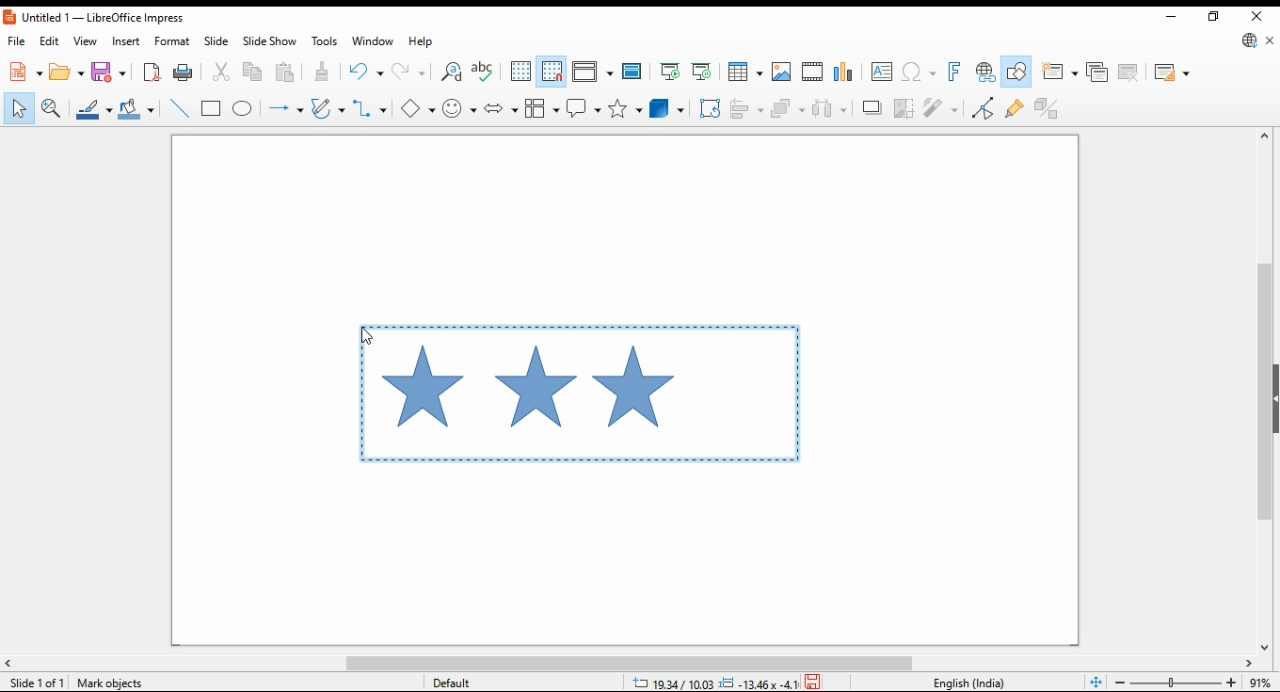 This screenshot has height=692, width=1280. Describe the element at coordinates (224, 71) in the screenshot. I see `cut` at that location.